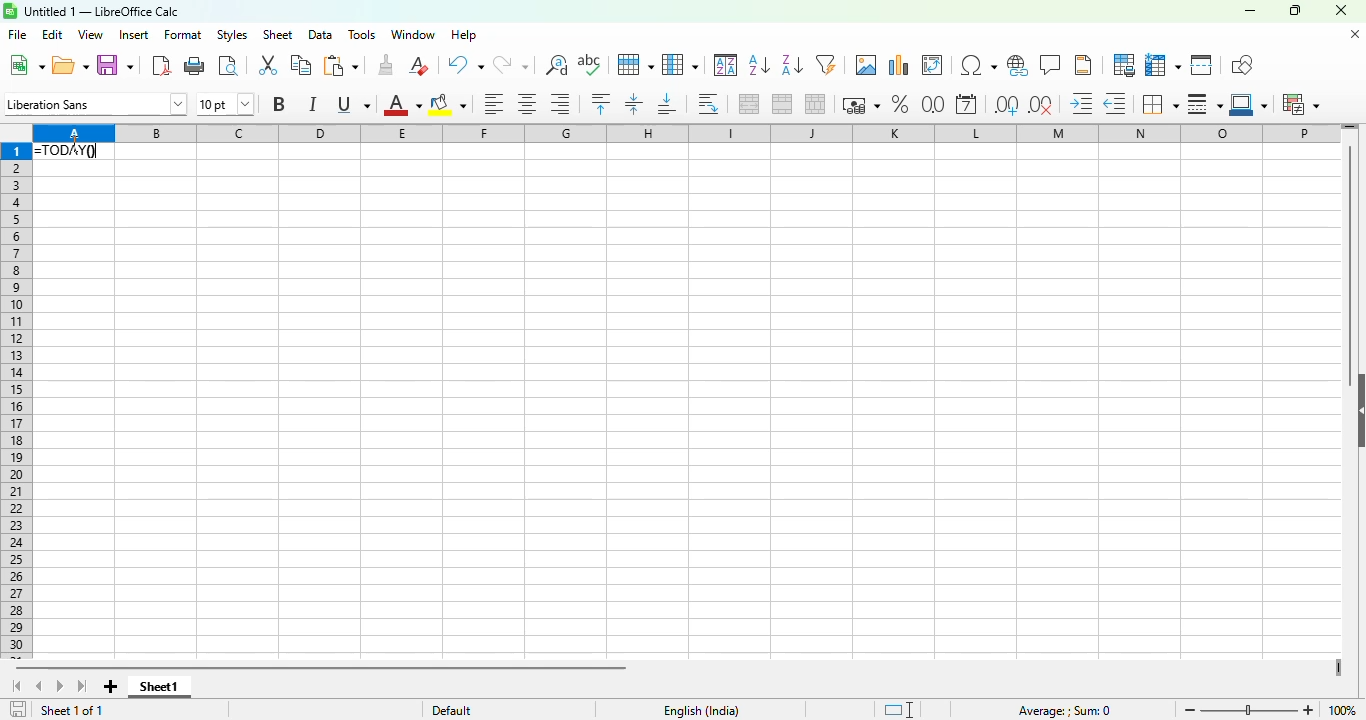  I want to click on horizontal scroll bar, so click(325, 669).